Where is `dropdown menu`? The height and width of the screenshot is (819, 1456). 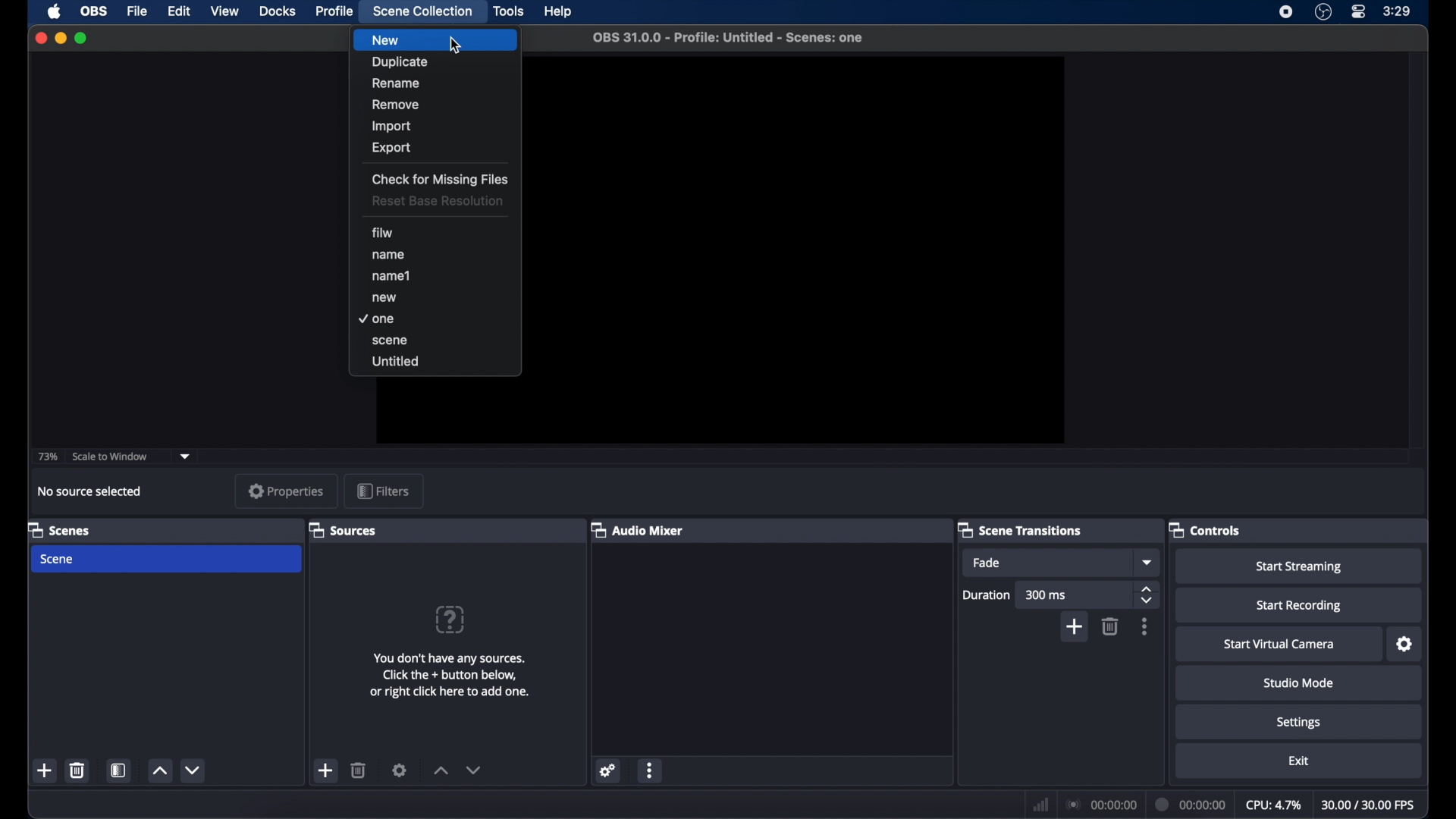 dropdown menu is located at coordinates (1147, 562).